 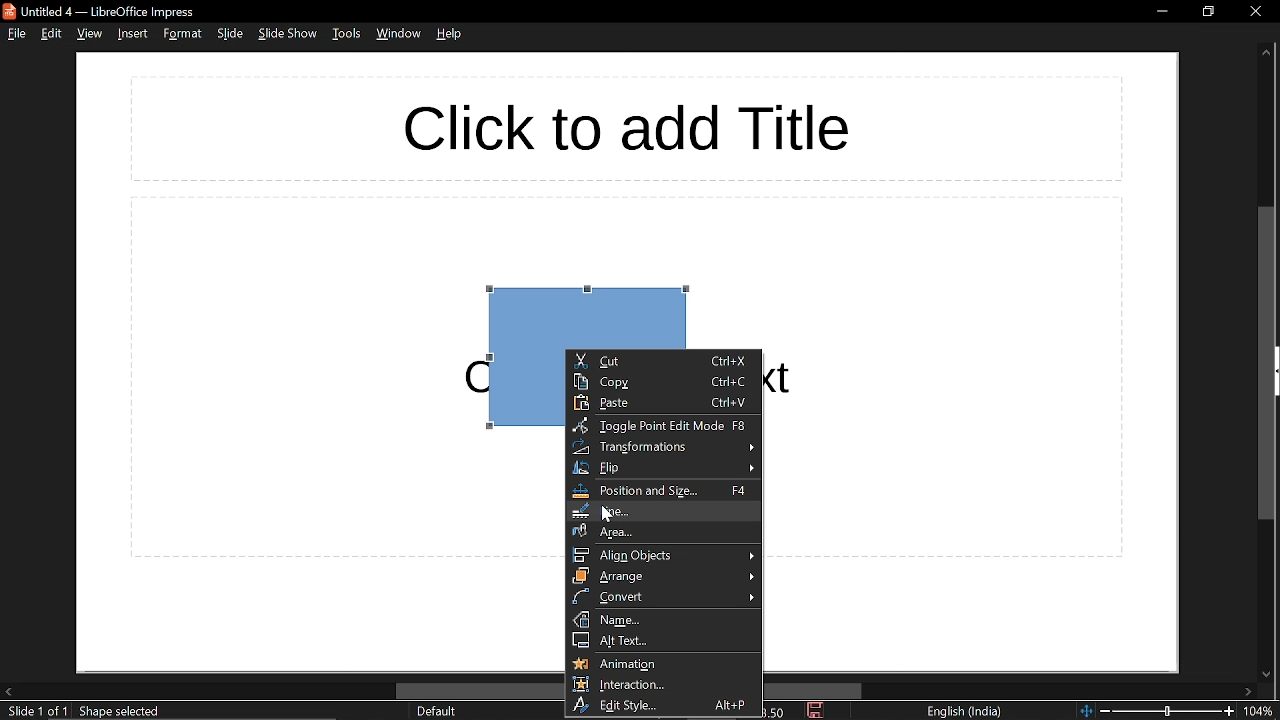 What do you see at coordinates (1266, 672) in the screenshot?
I see `Move down` at bounding box center [1266, 672].